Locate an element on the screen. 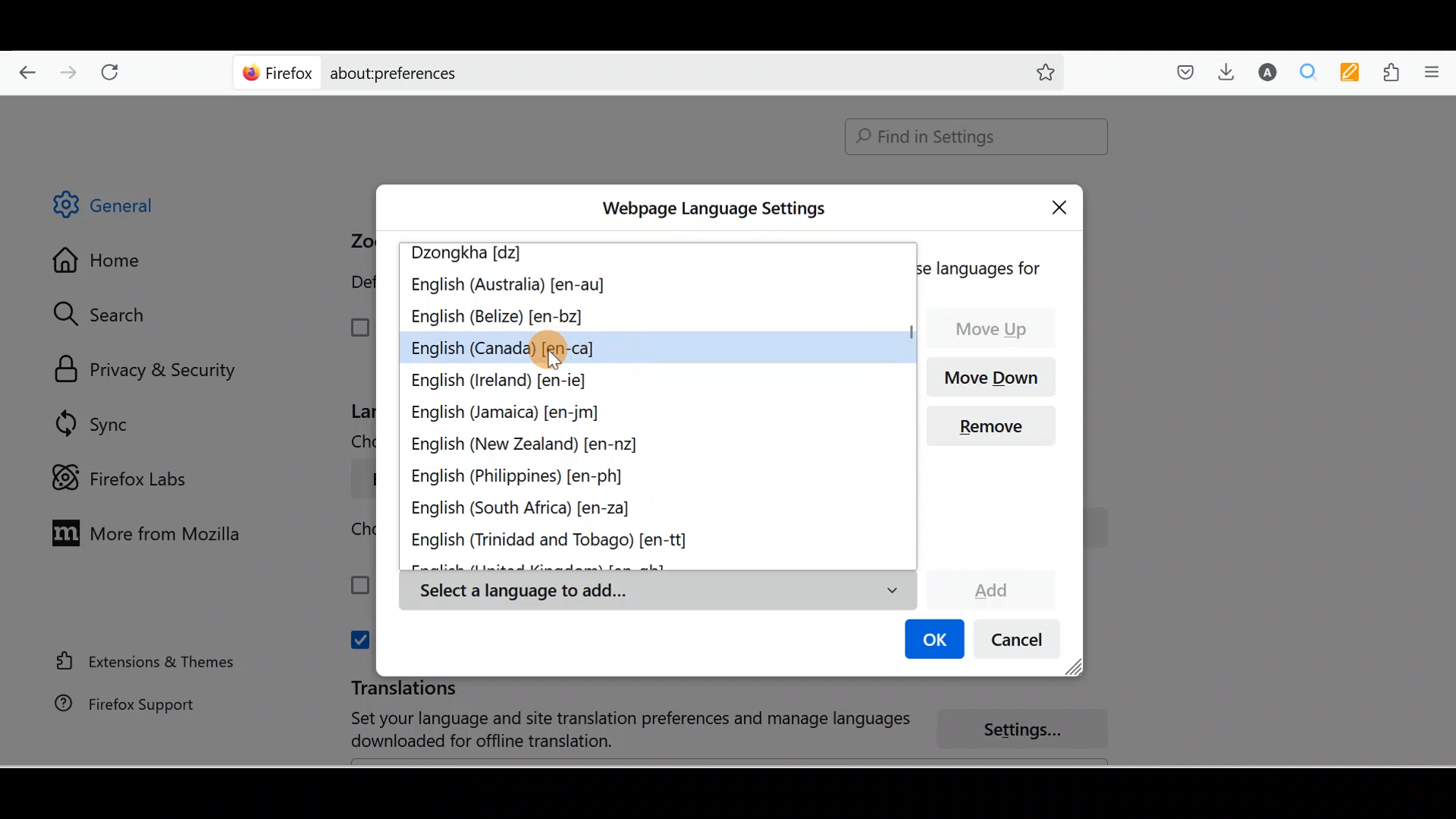 This screenshot has width=1456, height=819. Firefox support is located at coordinates (115, 704).